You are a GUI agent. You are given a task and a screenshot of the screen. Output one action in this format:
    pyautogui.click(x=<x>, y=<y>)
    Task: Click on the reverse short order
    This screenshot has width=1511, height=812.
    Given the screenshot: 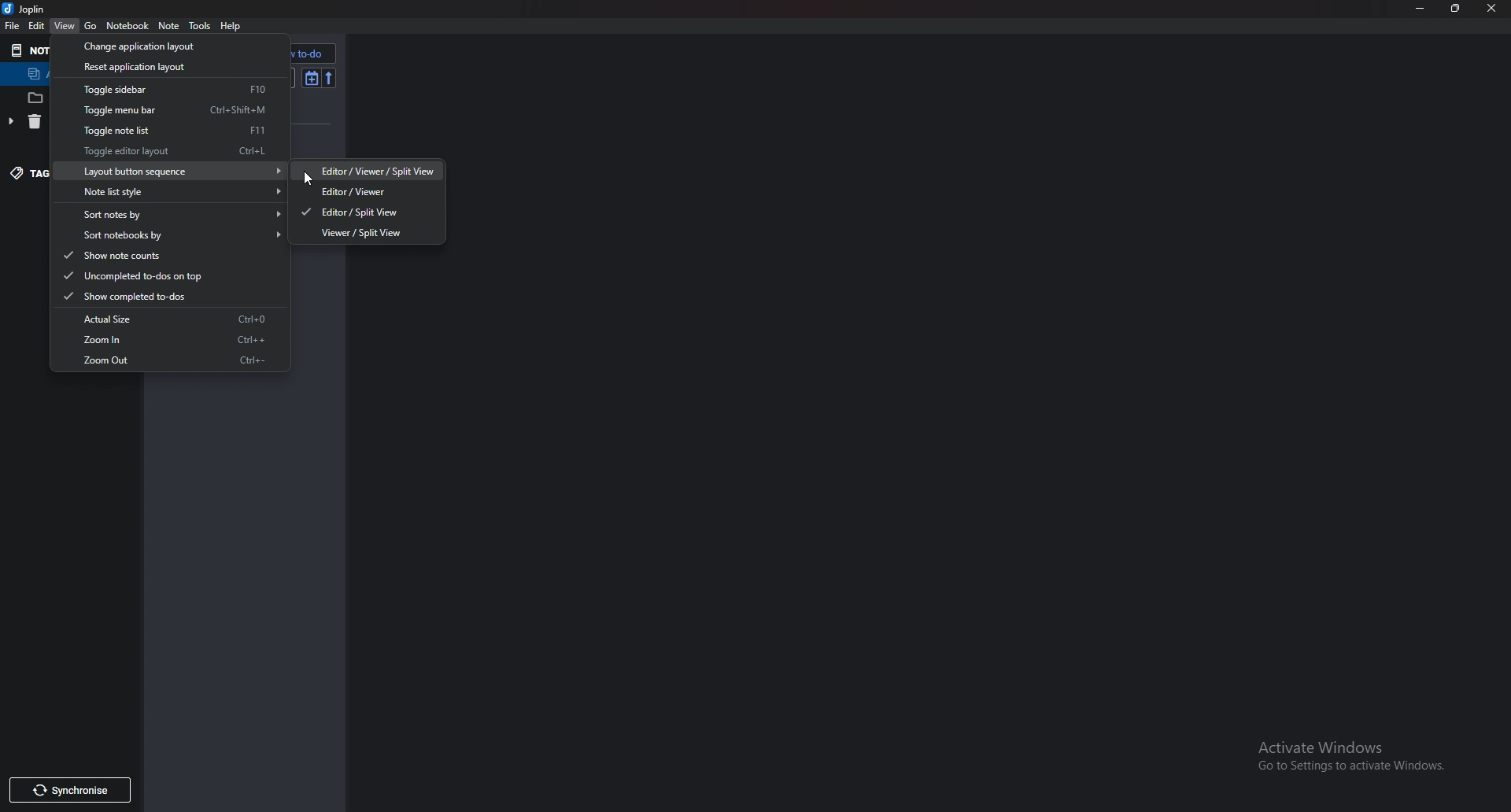 What is the action you would take?
    pyautogui.click(x=330, y=79)
    